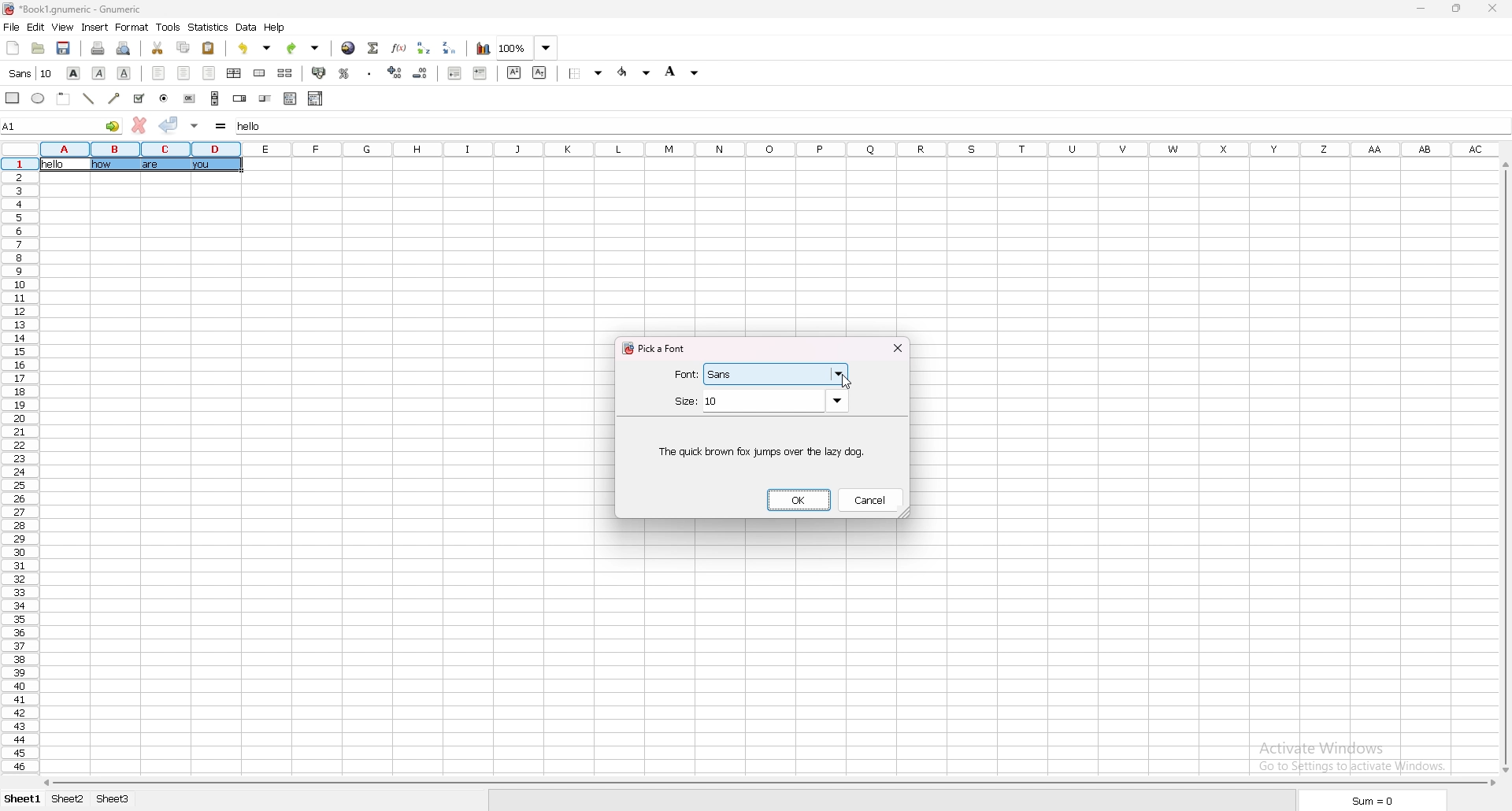 This screenshot has height=811, width=1512. Describe the element at coordinates (209, 73) in the screenshot. I see `right align` at that location.